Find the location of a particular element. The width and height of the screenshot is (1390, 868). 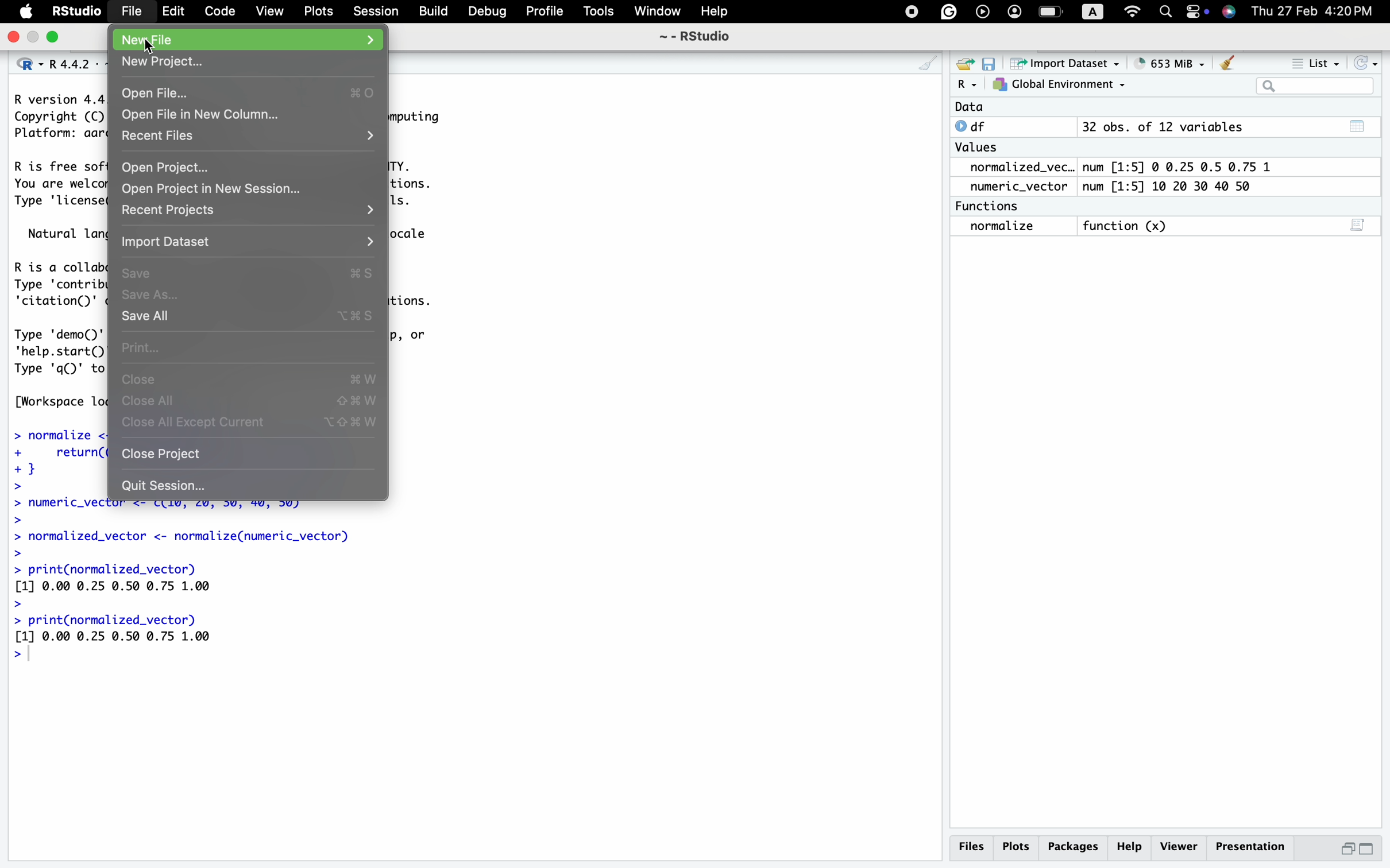

Packages is located at coordinates (1075, 846).